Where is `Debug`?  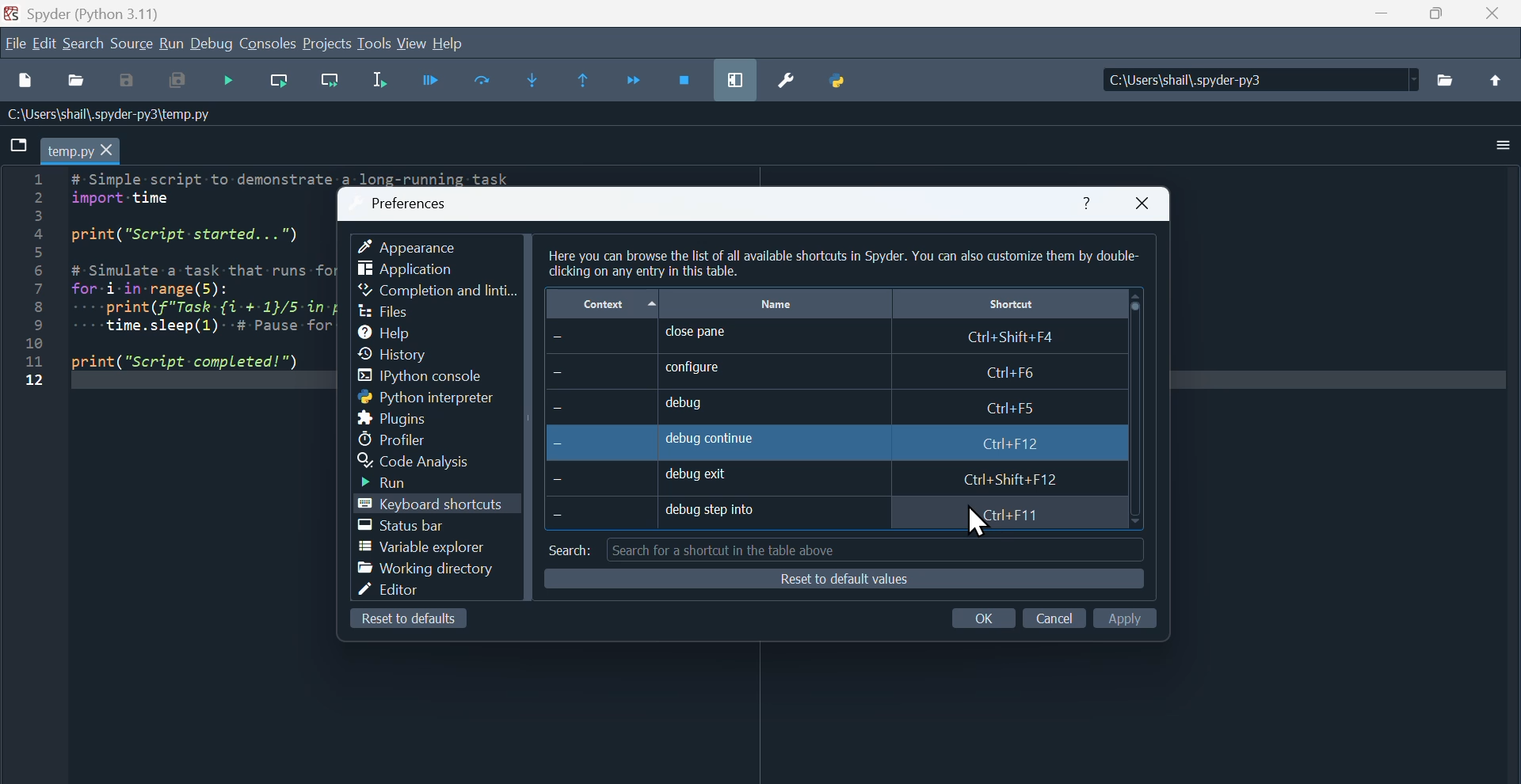
Debug is located at coordinates (211, 43).